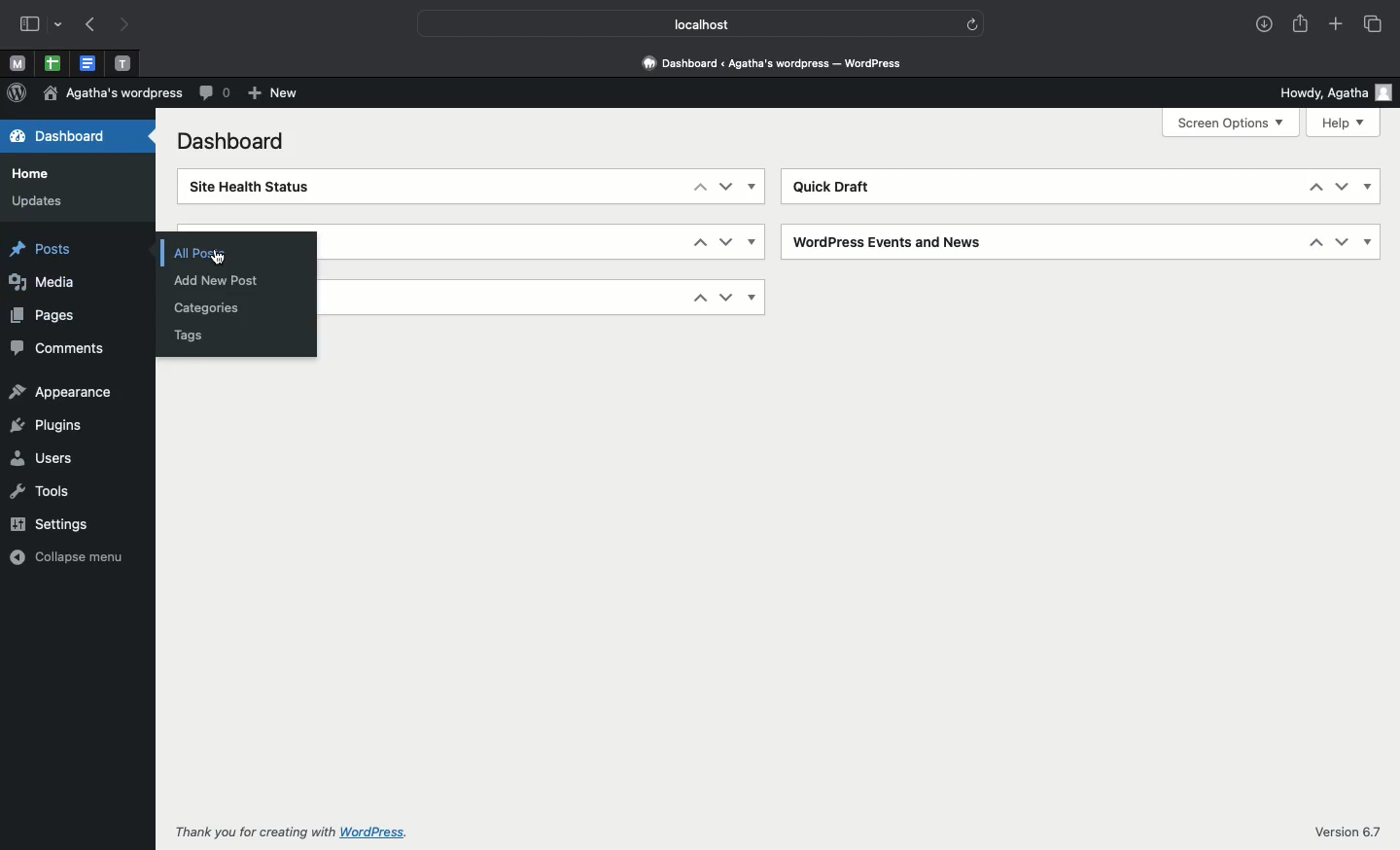  I want to click on Up, so click(700, 241).